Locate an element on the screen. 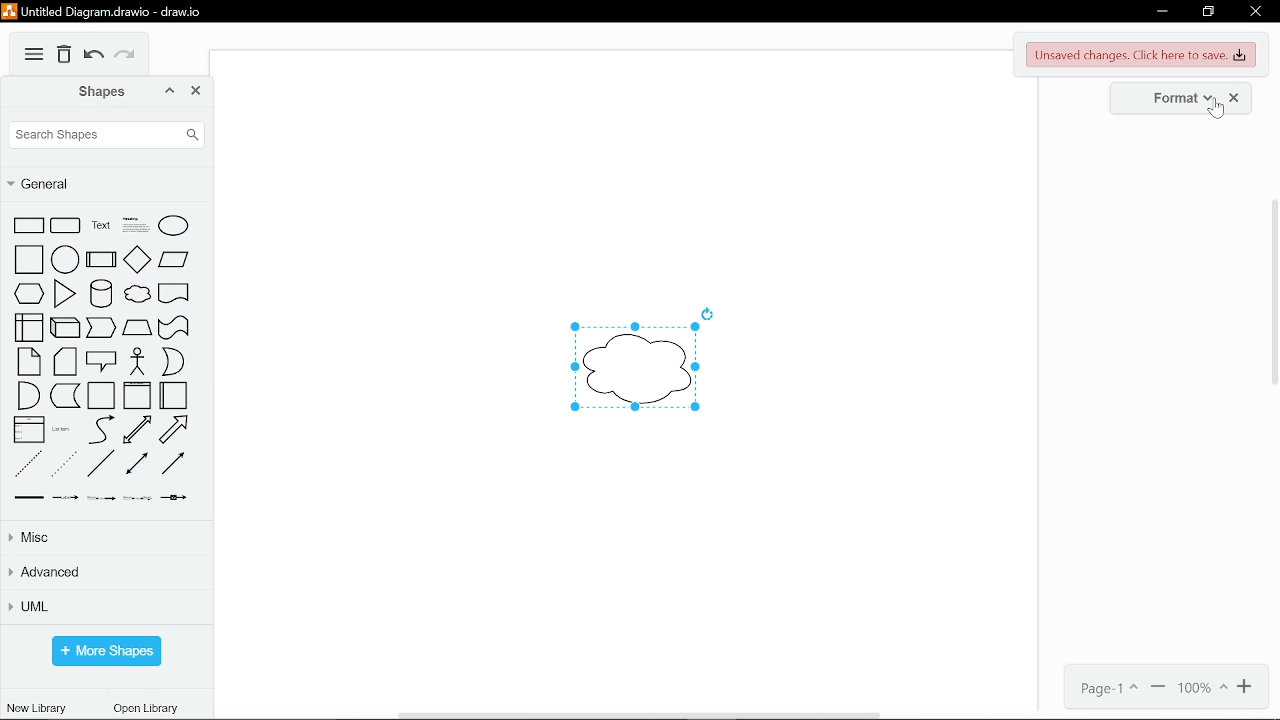 This screenshot has height=720, width=1280. curve is located at coordinates (98, 430).